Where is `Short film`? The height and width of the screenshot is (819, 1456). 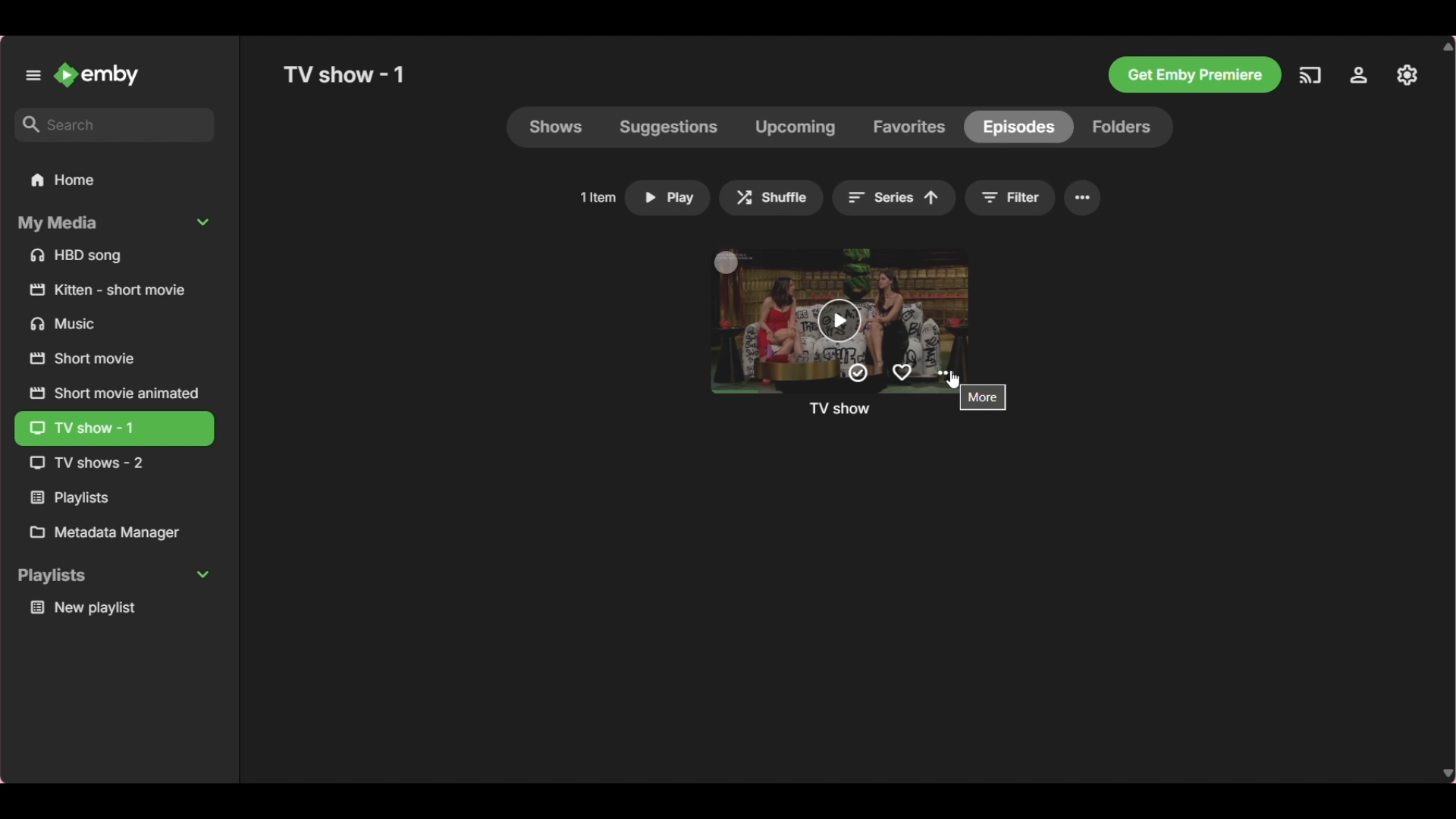 Short film is located at coordinates (115, 290).